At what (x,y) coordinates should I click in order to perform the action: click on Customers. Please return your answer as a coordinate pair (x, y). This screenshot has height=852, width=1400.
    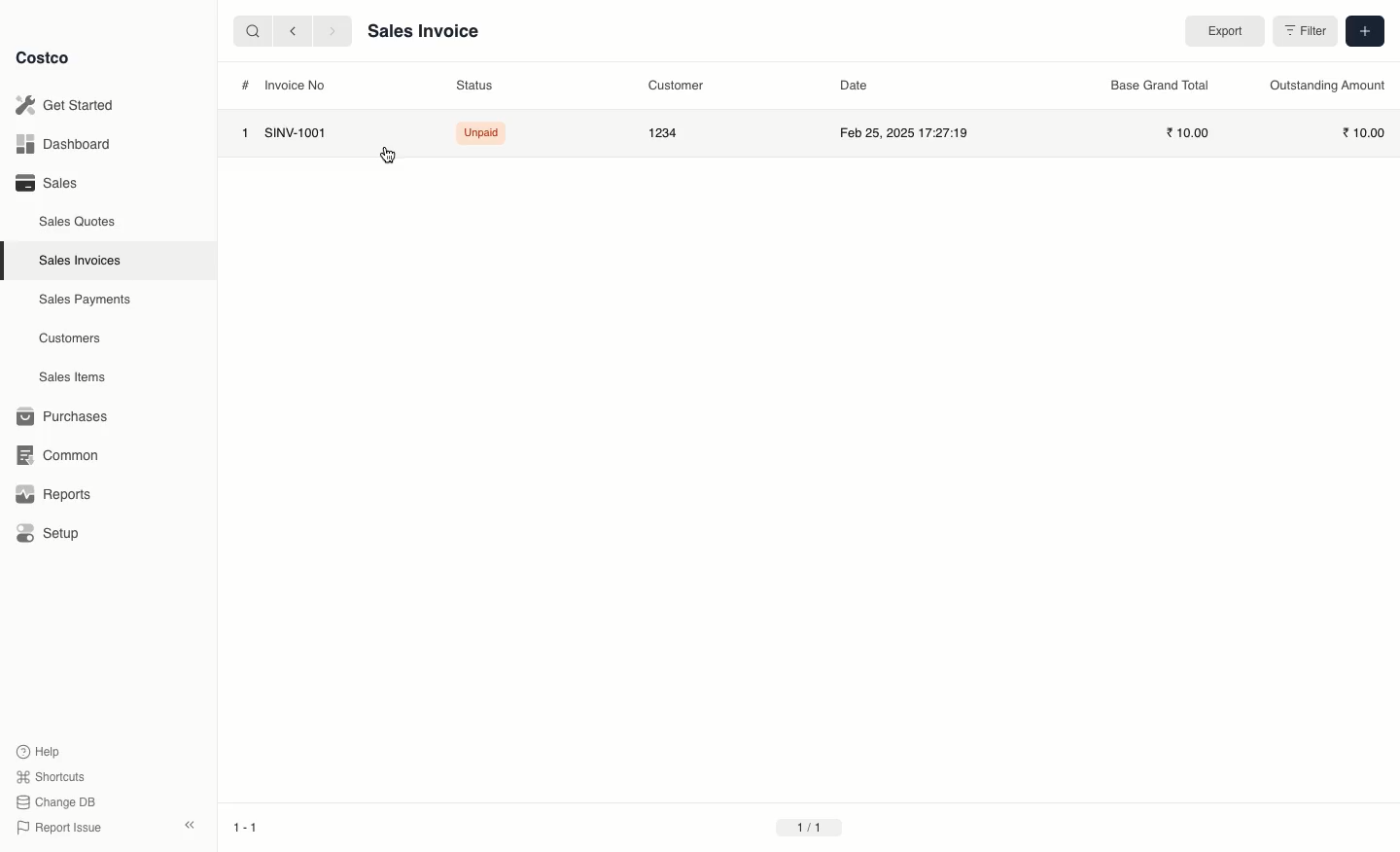
    Looking at the image, I should click on (68, 337).